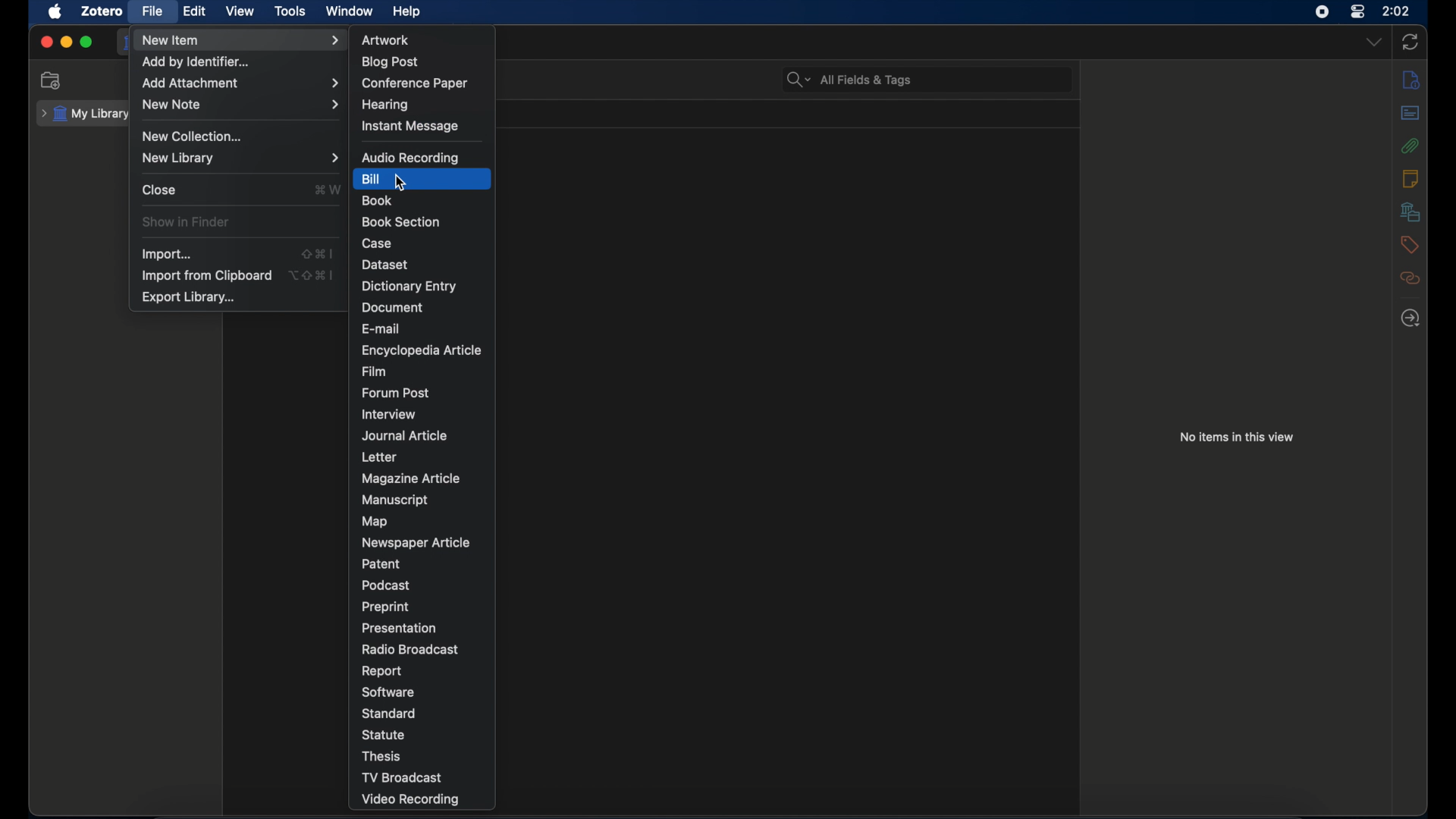  What do you see at coordinates (411, 478) in the screenshot?
I see `magazine article` at bounding box center [411, 478].